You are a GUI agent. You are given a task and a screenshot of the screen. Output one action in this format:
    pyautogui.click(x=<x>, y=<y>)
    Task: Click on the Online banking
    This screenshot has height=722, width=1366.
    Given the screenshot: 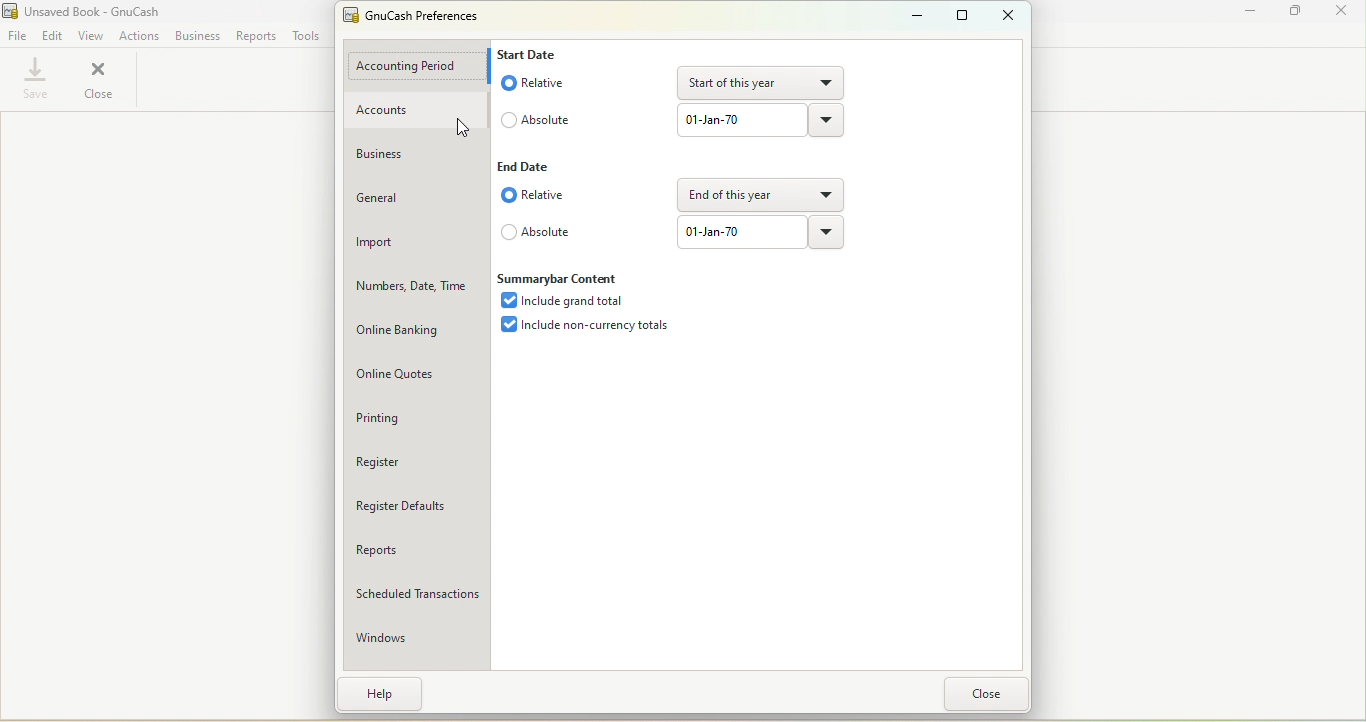 What is the action you would take?
    pyautogui.click(x=416, y=325)
    